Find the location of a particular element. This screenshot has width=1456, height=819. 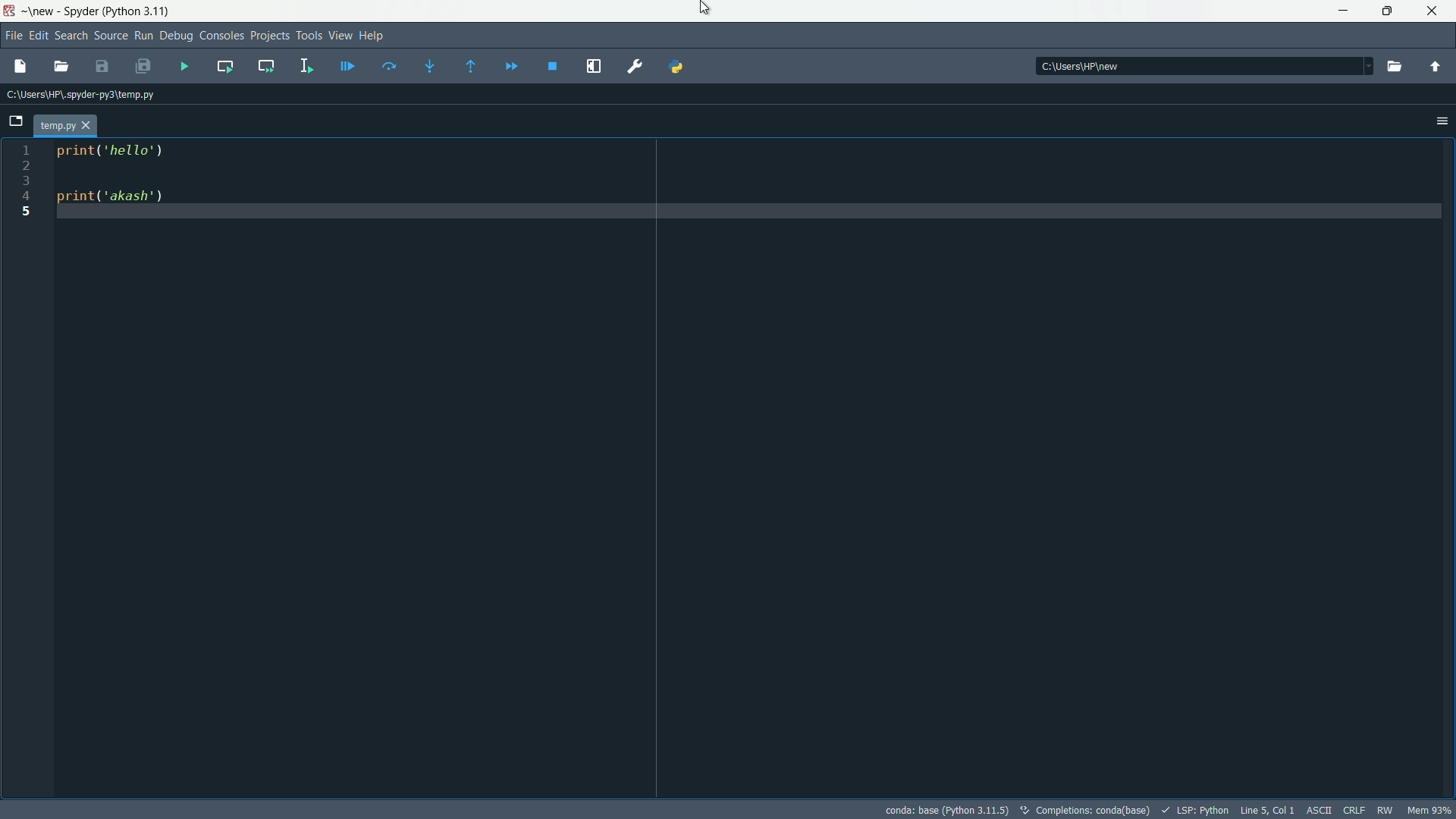

save all files is located at coordinates (143, 67).